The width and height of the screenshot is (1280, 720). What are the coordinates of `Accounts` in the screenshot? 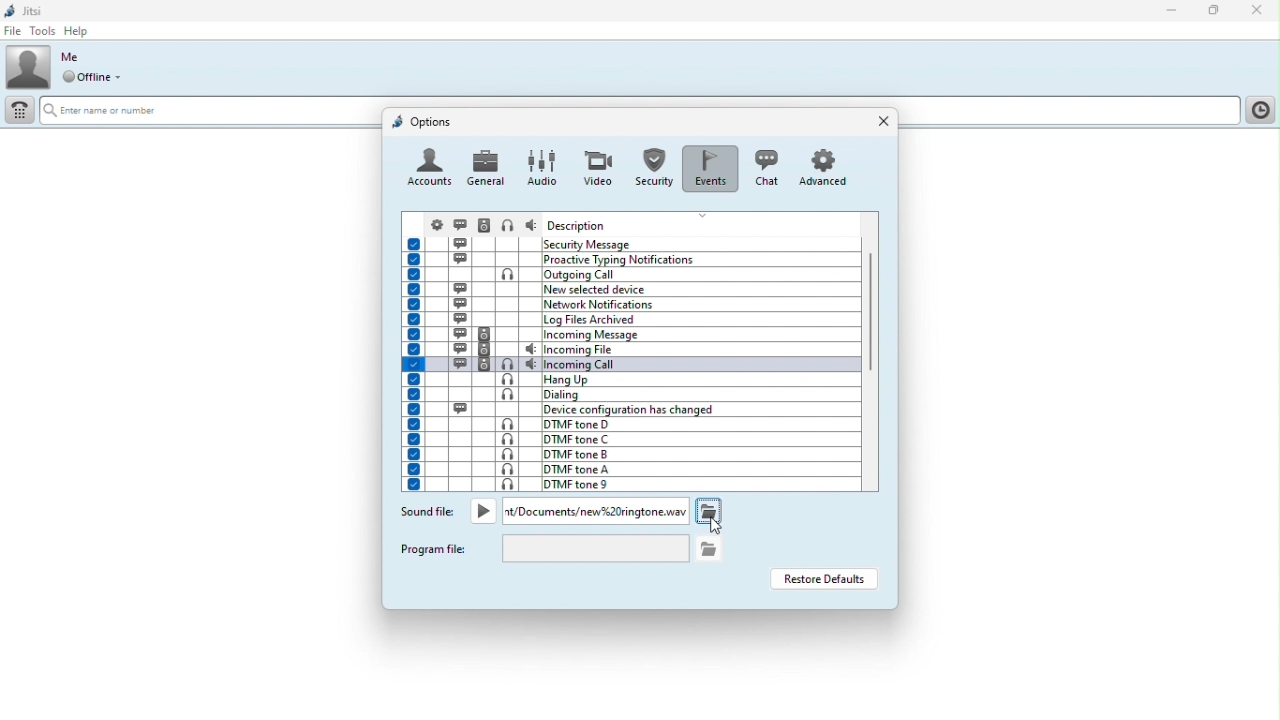 It's located at (430, 170).